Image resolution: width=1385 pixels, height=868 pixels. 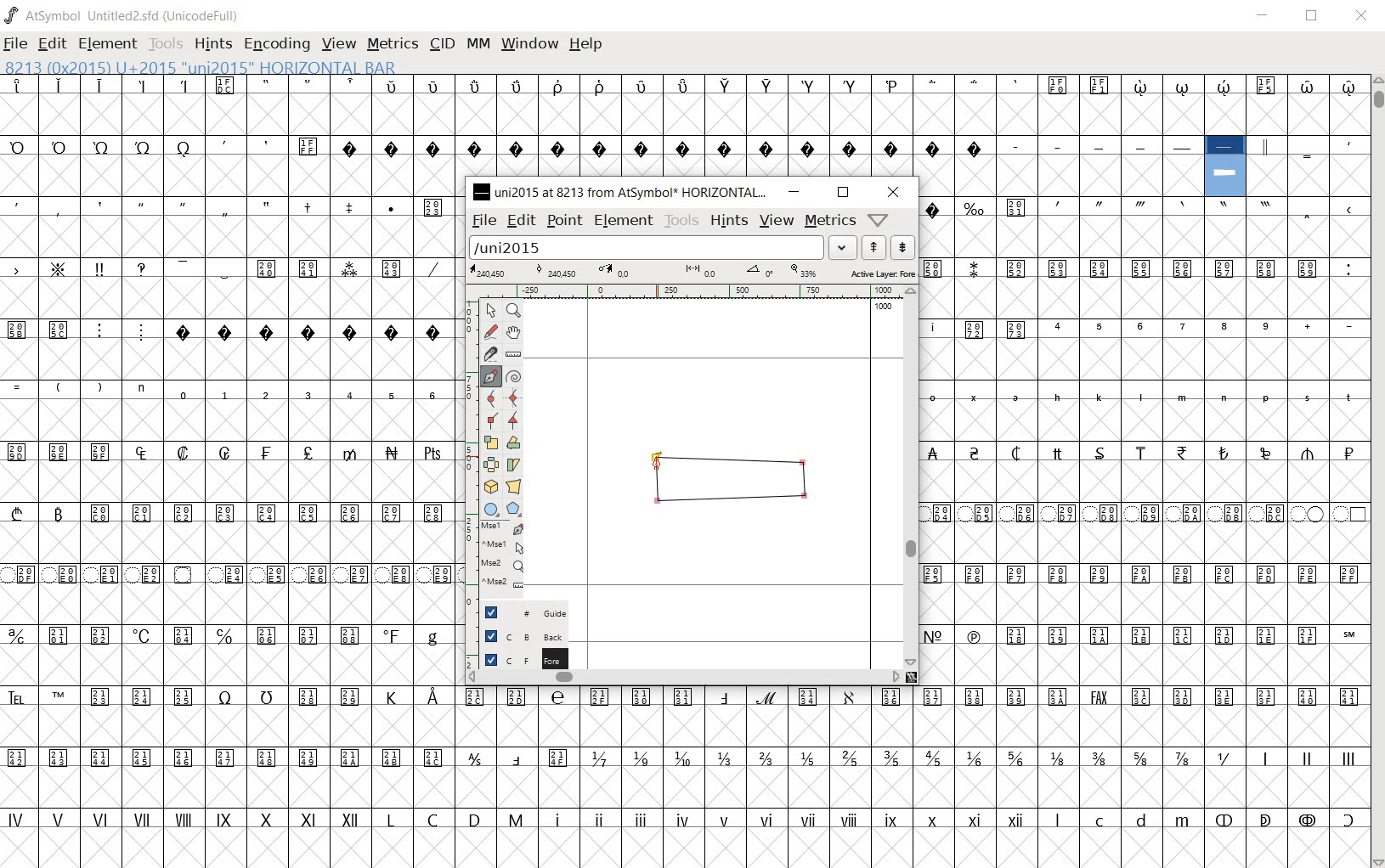 I want to click on Rotate the selection, so click(x=515, y=442).